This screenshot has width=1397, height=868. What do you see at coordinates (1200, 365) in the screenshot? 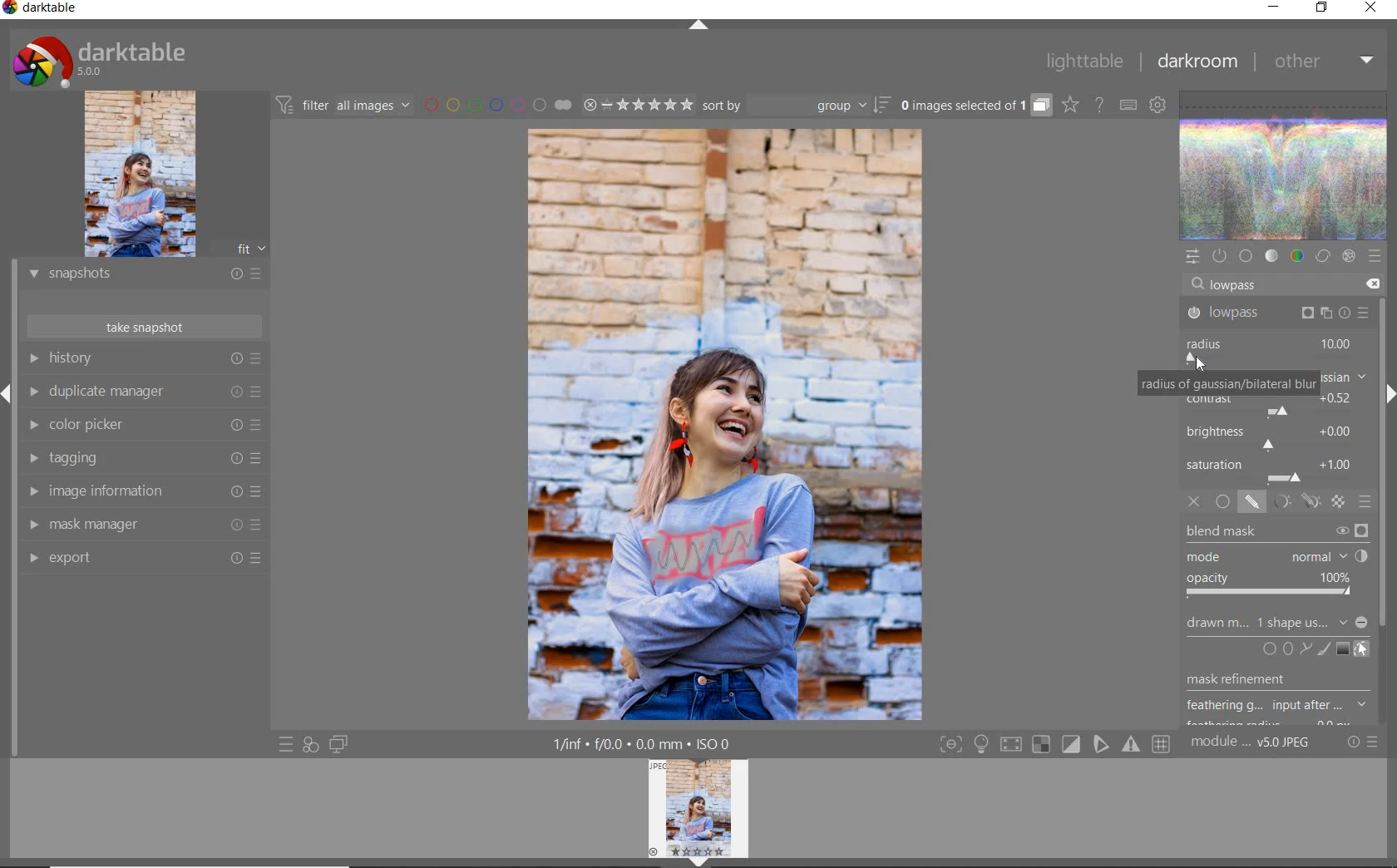
I see `cursor position` at bounding box center [1200, 365].